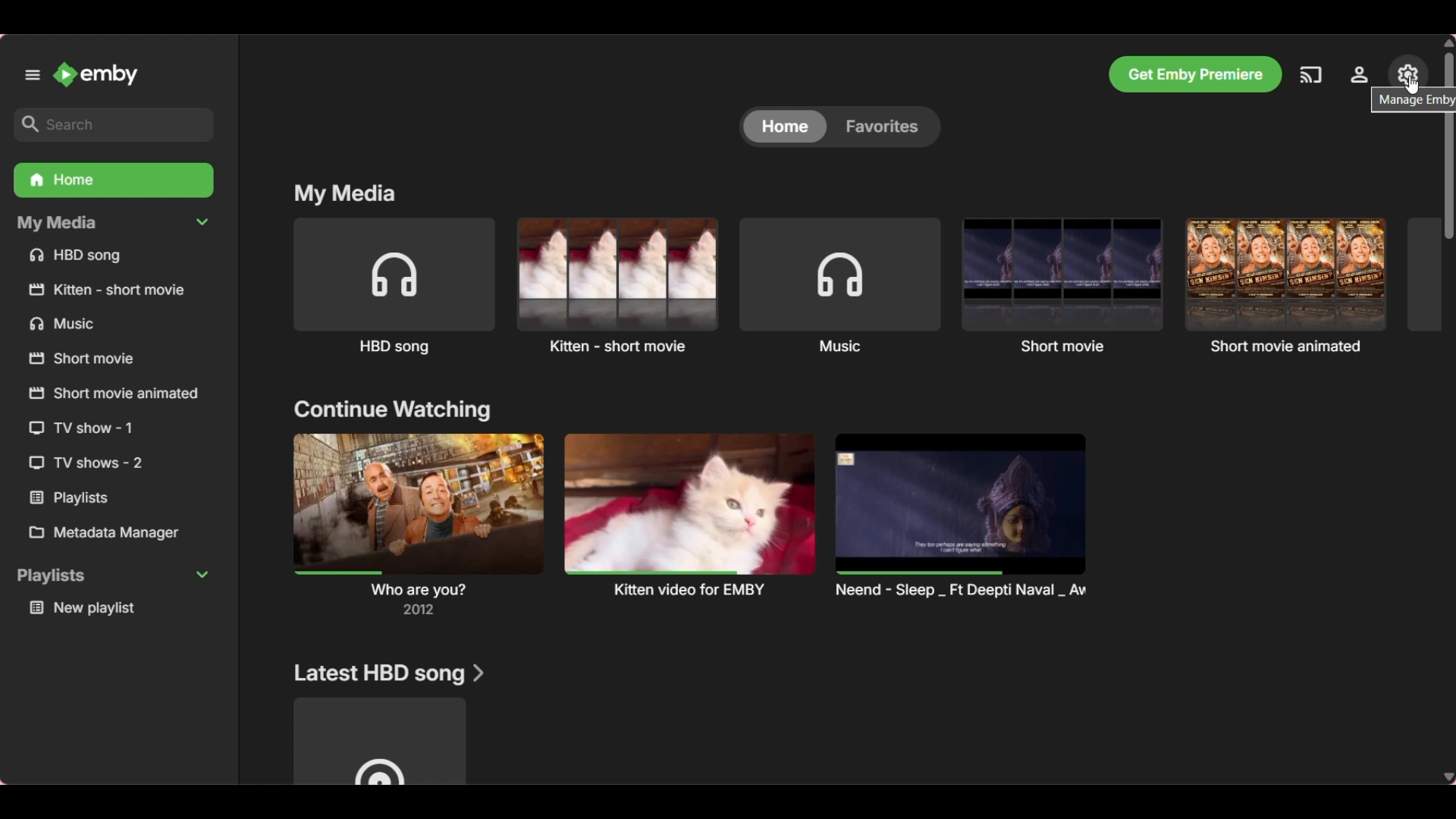 The height and width of the screenshot is (819, 1456). What do you see at coordinates (115, 289) in the screenshot?
I see `Short movie` at bounding box center [115, 289].